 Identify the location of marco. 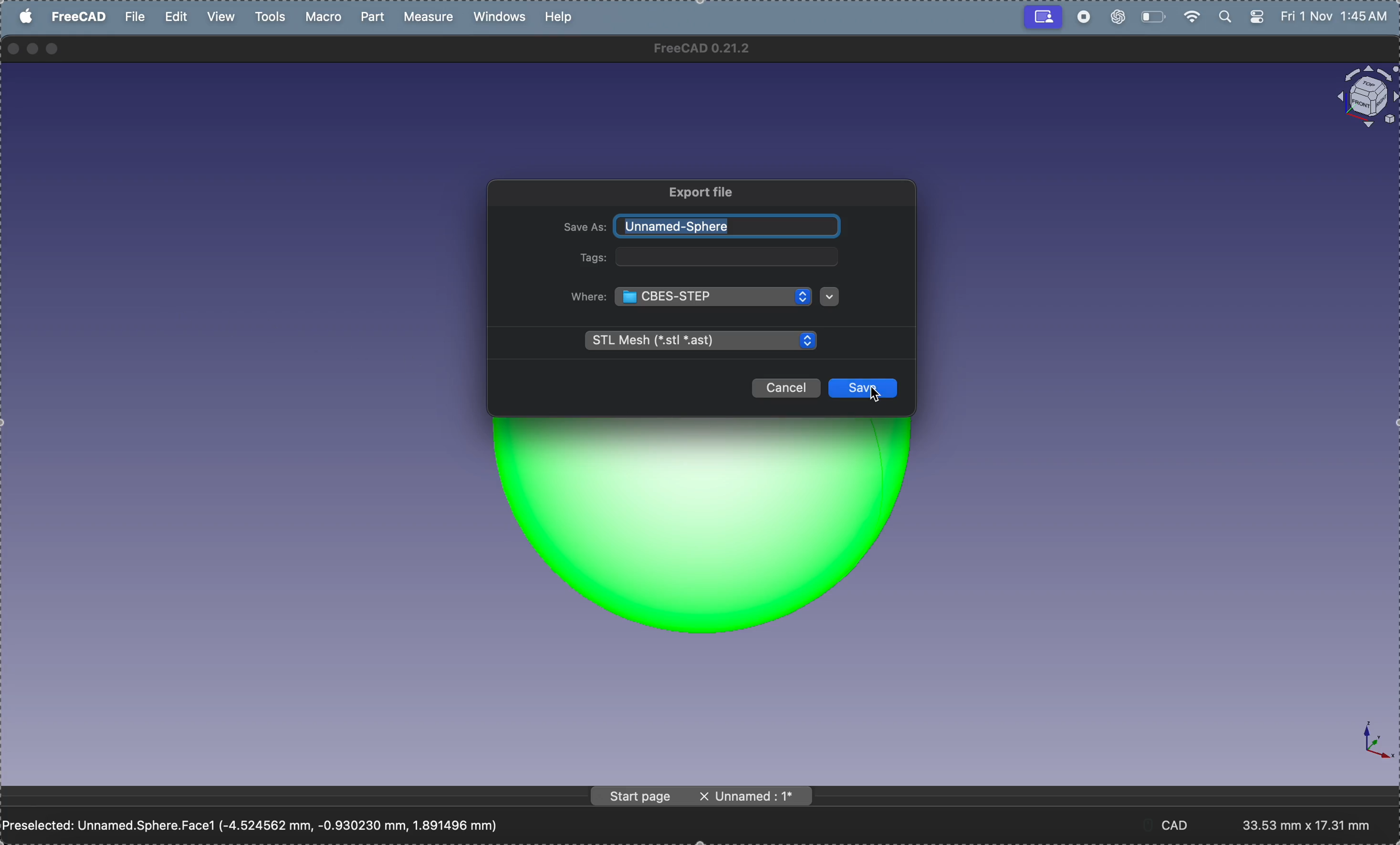
(327, 17).